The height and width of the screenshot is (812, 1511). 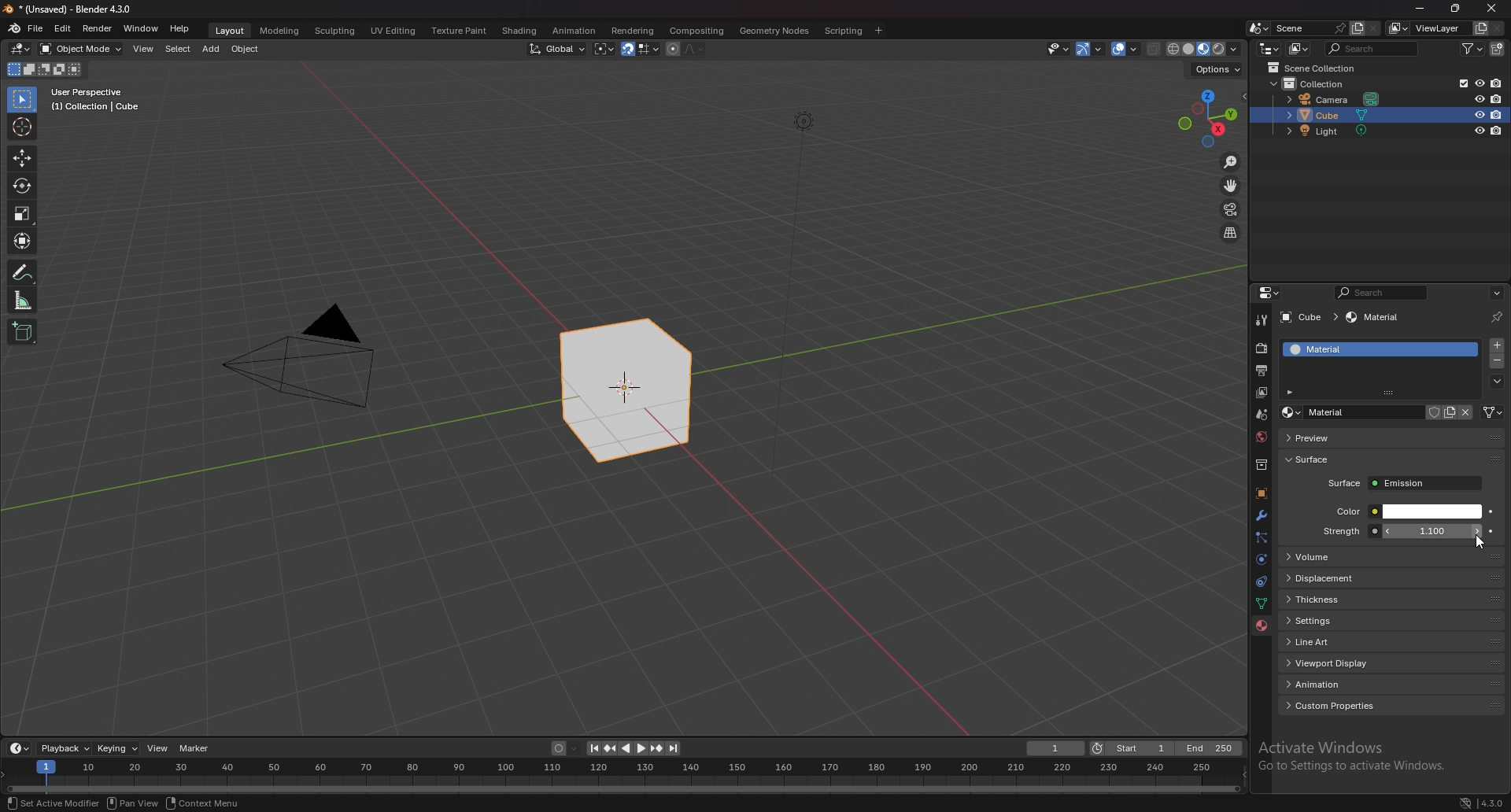 What do you see at coordinates (623, 776) in the screenshot?
I see `seek` at bounding box center [623, 776].